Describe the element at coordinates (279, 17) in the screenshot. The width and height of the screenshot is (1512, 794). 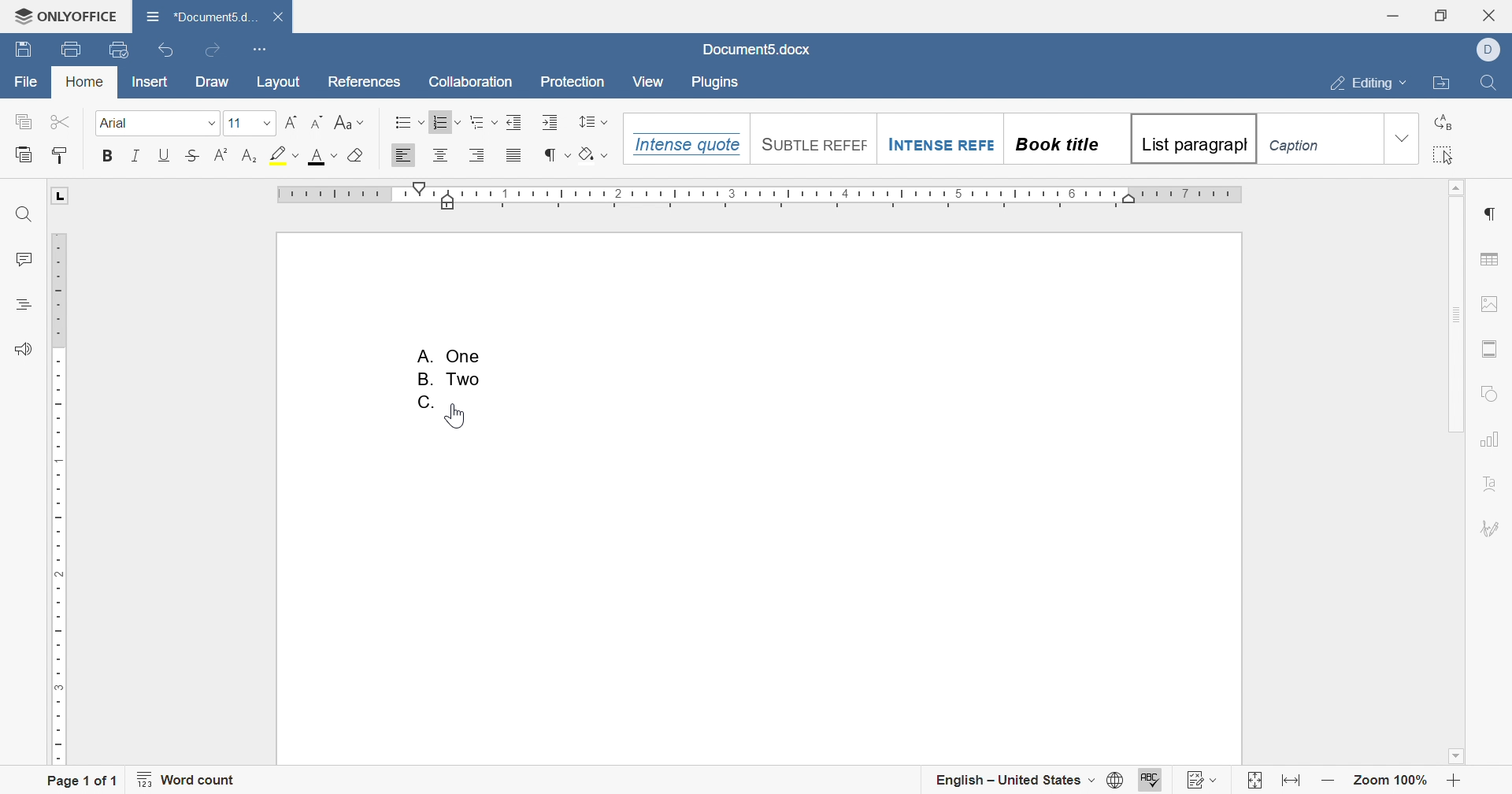
I see `Close` at that location.